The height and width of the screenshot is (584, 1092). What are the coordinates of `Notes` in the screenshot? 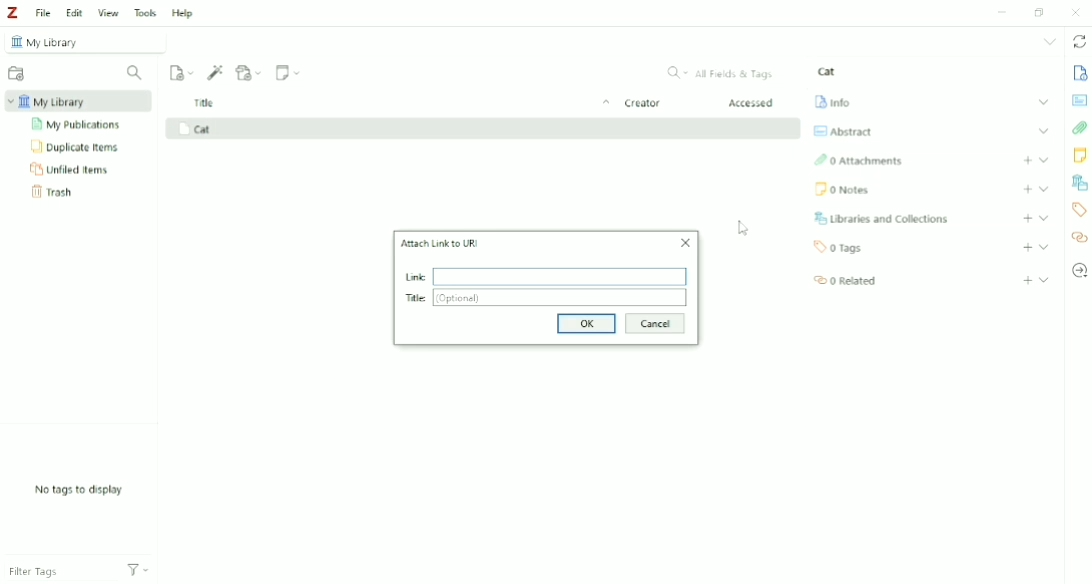 It's located at (841, 189).